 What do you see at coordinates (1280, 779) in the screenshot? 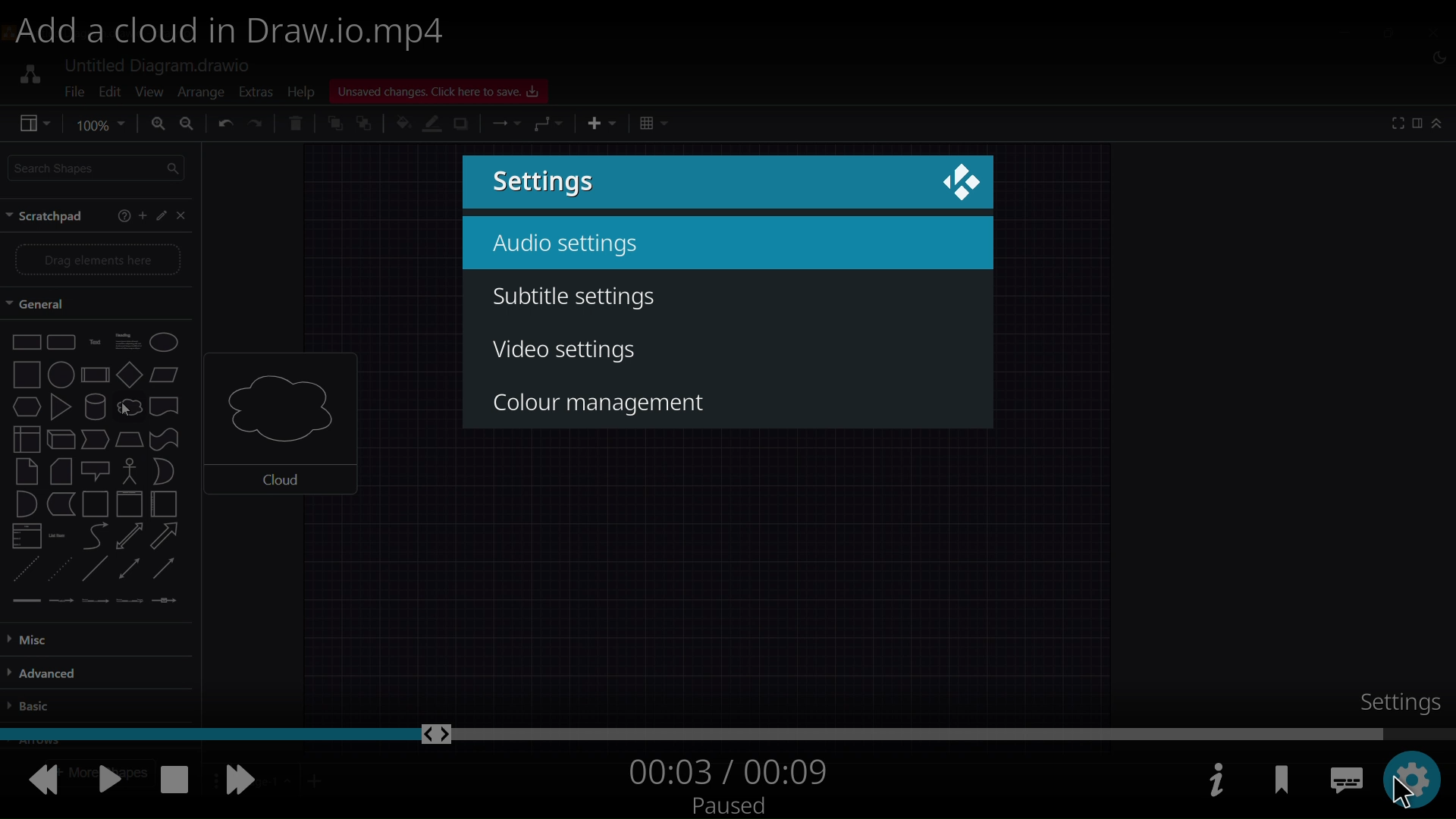
I see `bookmark` at bounding box center [1280, 779].